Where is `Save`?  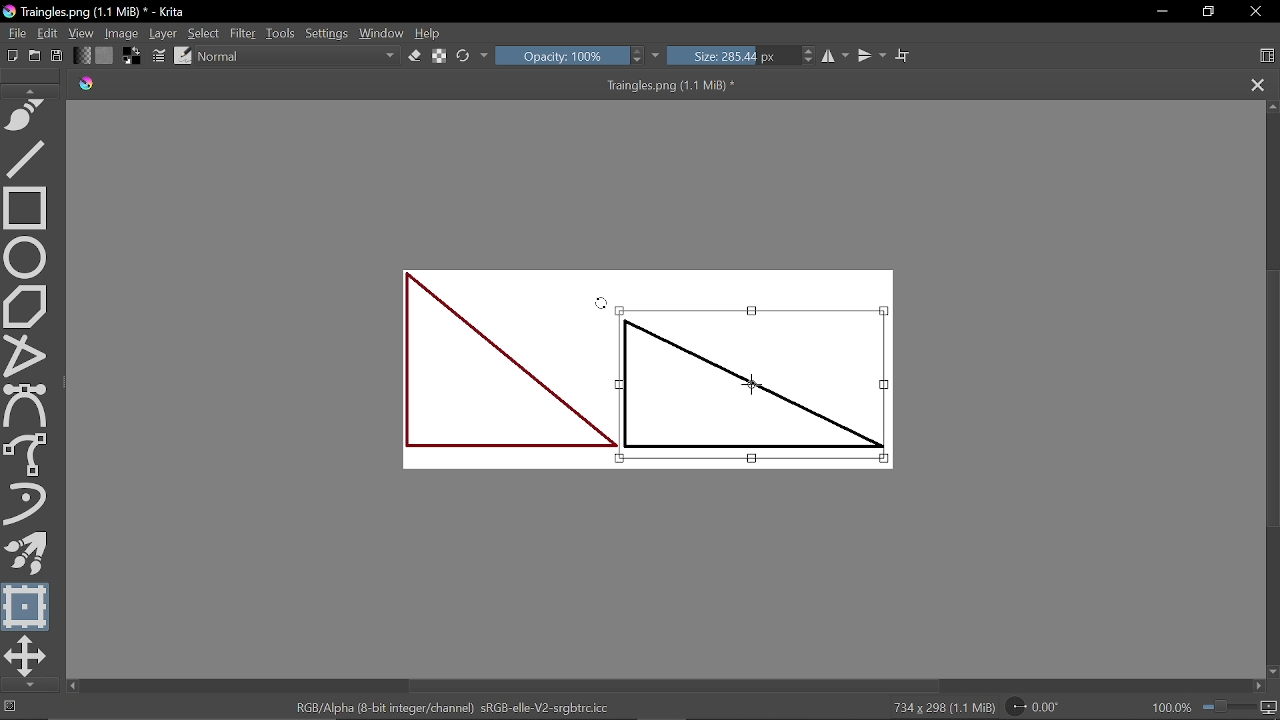
Save is located at coordinates (56, 57).